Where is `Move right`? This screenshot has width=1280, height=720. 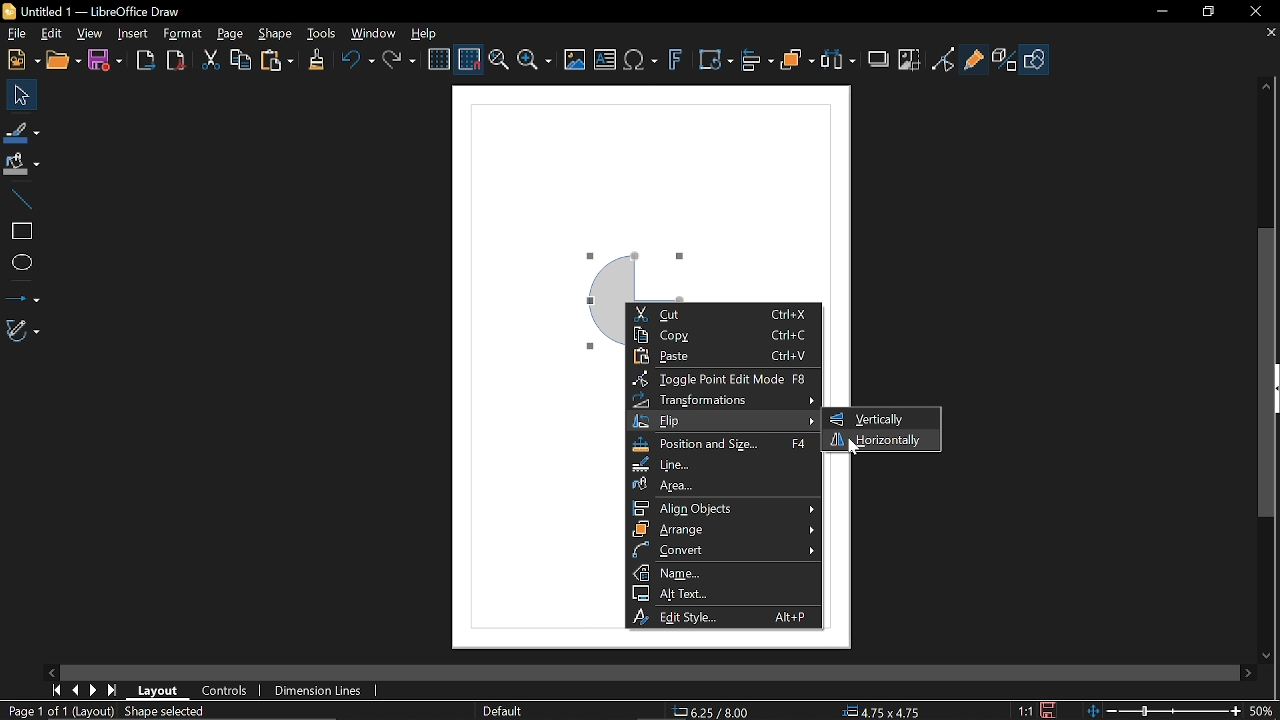
Move right is located at coordinates (1250, 672).